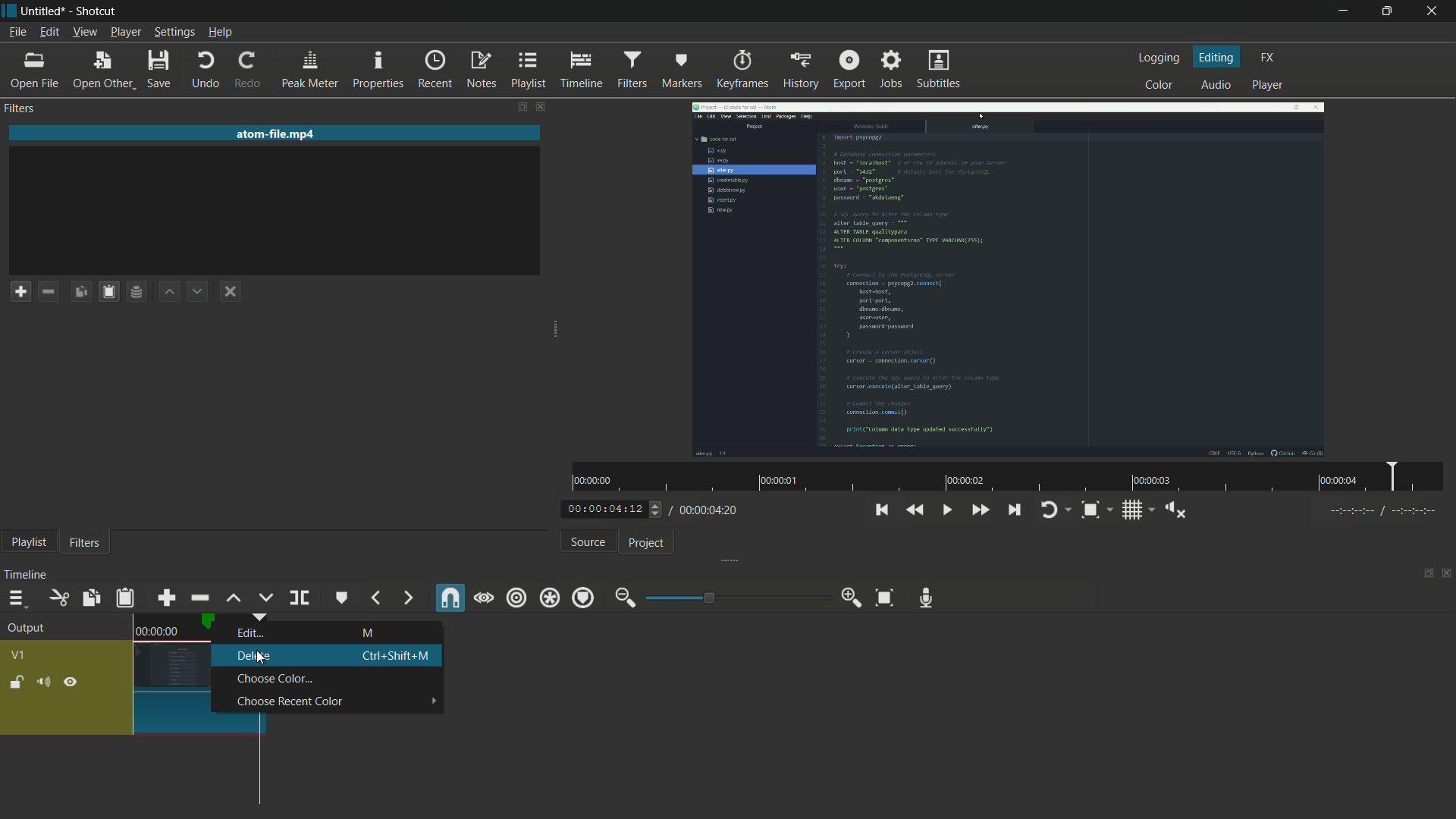  Describe the element at coordinates (234, 599) in the screenshot. I see `lift` at that location.